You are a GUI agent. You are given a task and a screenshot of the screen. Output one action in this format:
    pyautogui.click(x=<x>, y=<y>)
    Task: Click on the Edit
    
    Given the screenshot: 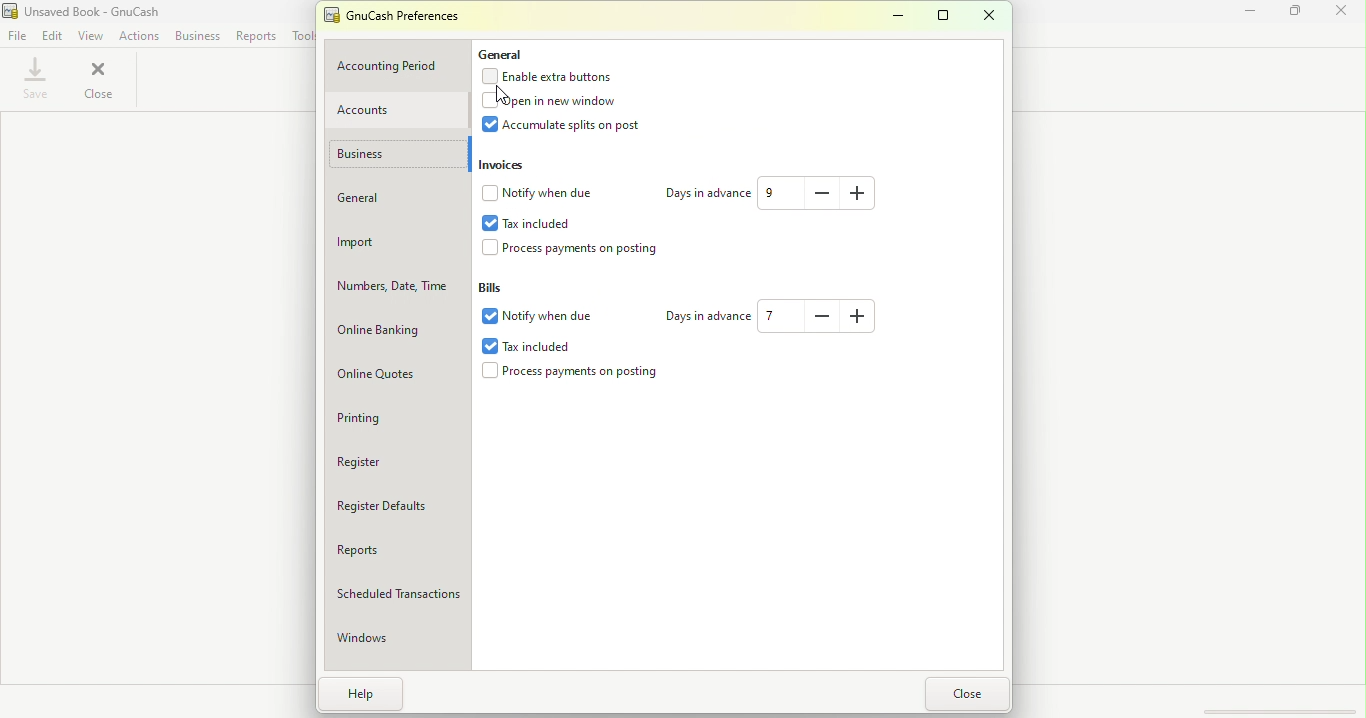 What is the action you would take?
    pyautogui.click(x=55, y=37)
    